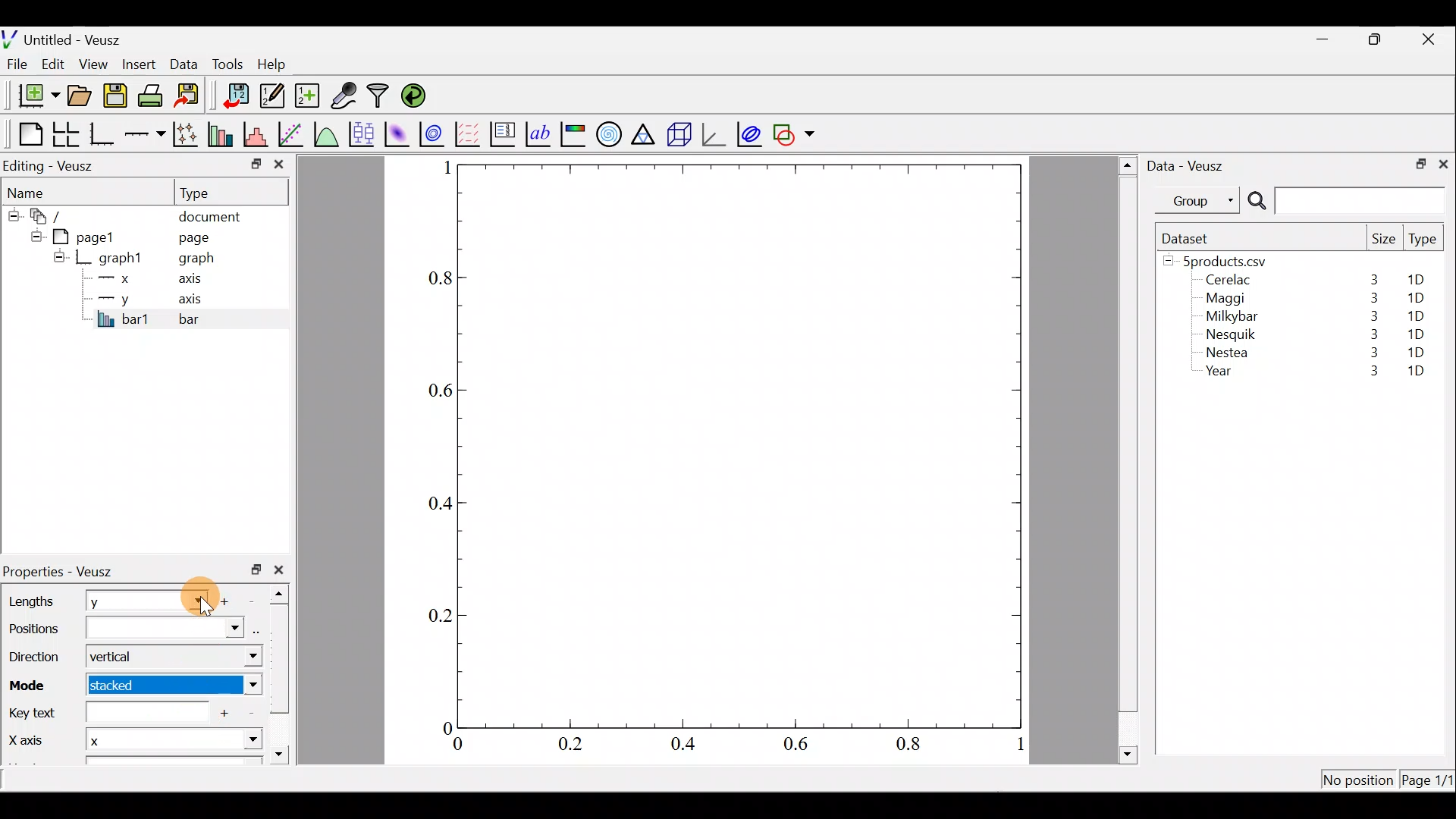 The image size is (1456, 819). What do you see at coordinates (184, 63) in the screenshot?
I see `Data` at bounding box center [184, 63].